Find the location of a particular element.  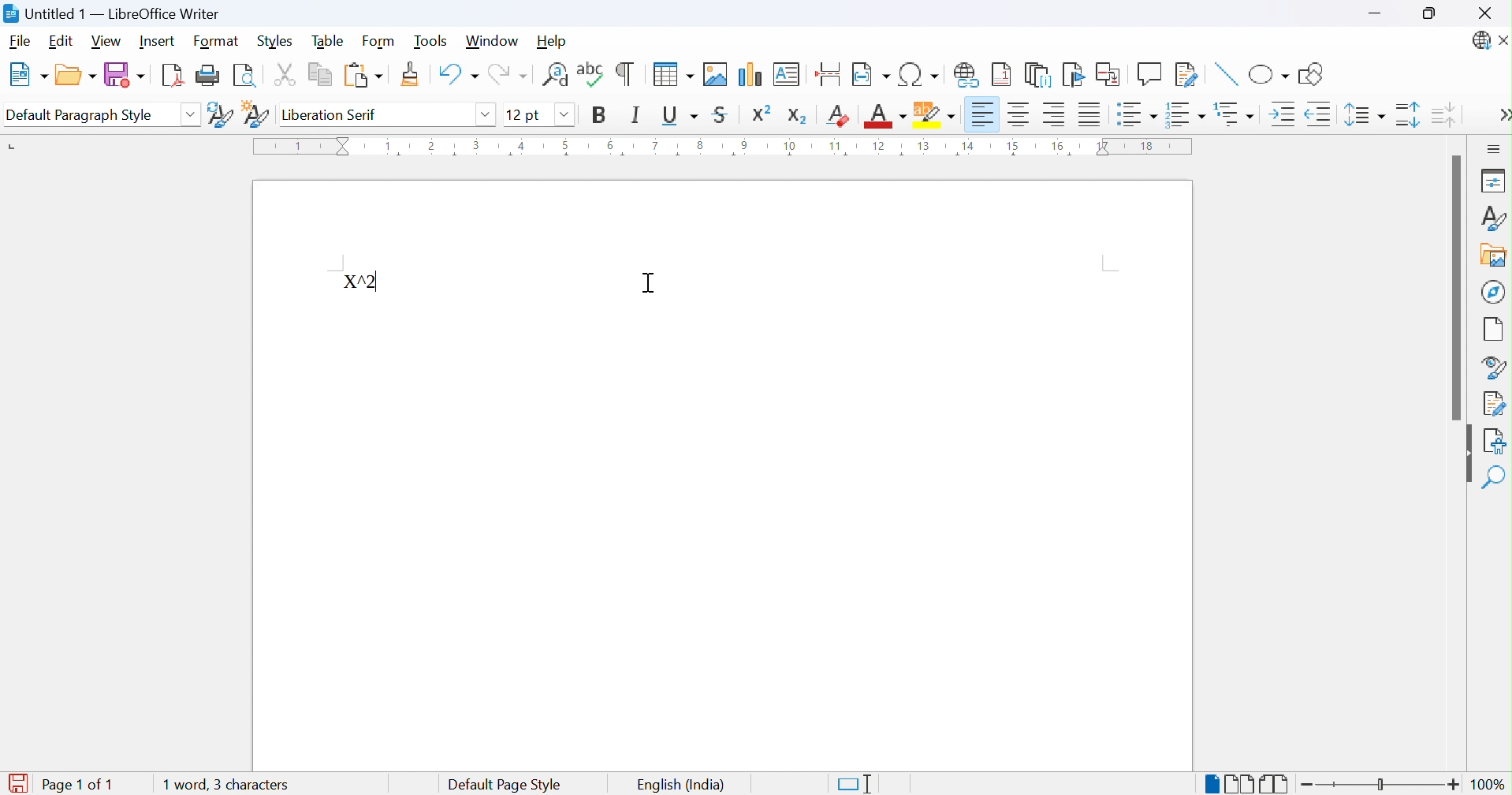

Style inspector is located at coordinates (1492, 366).